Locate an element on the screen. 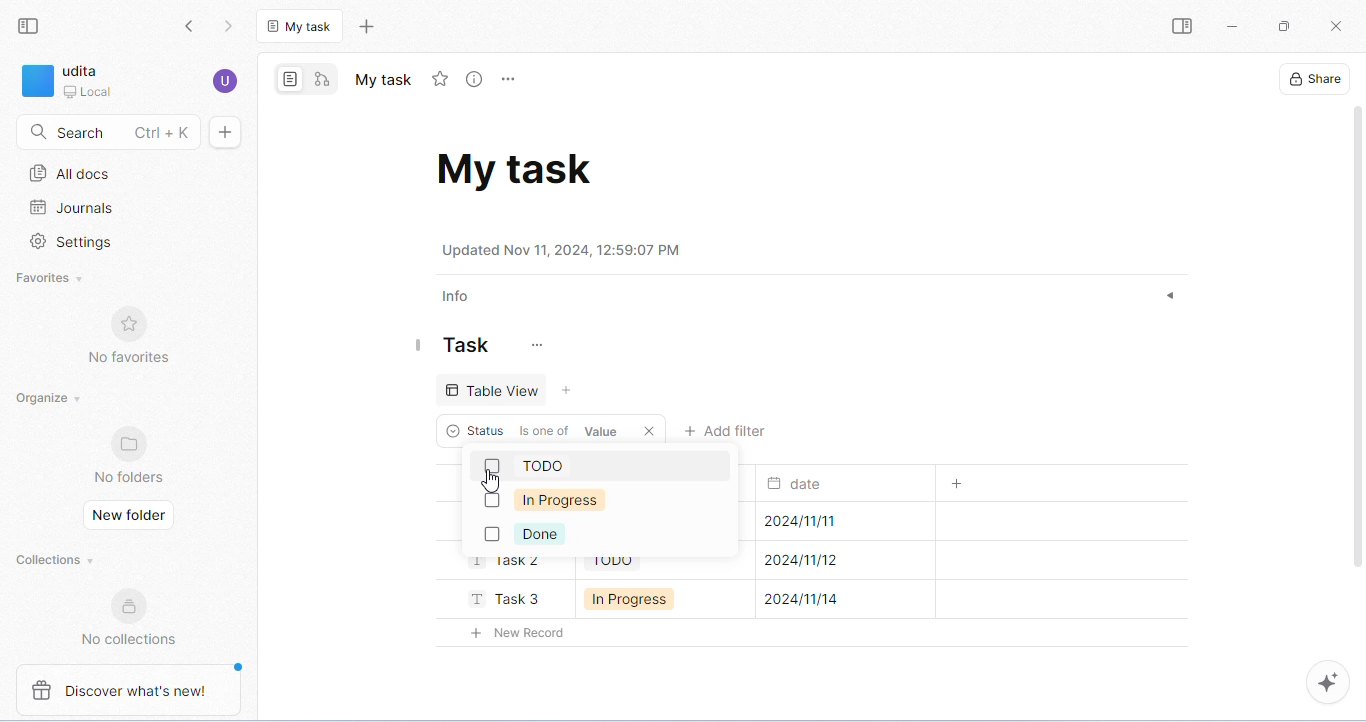  submission date for task1 is located at coordinates (803, 520).